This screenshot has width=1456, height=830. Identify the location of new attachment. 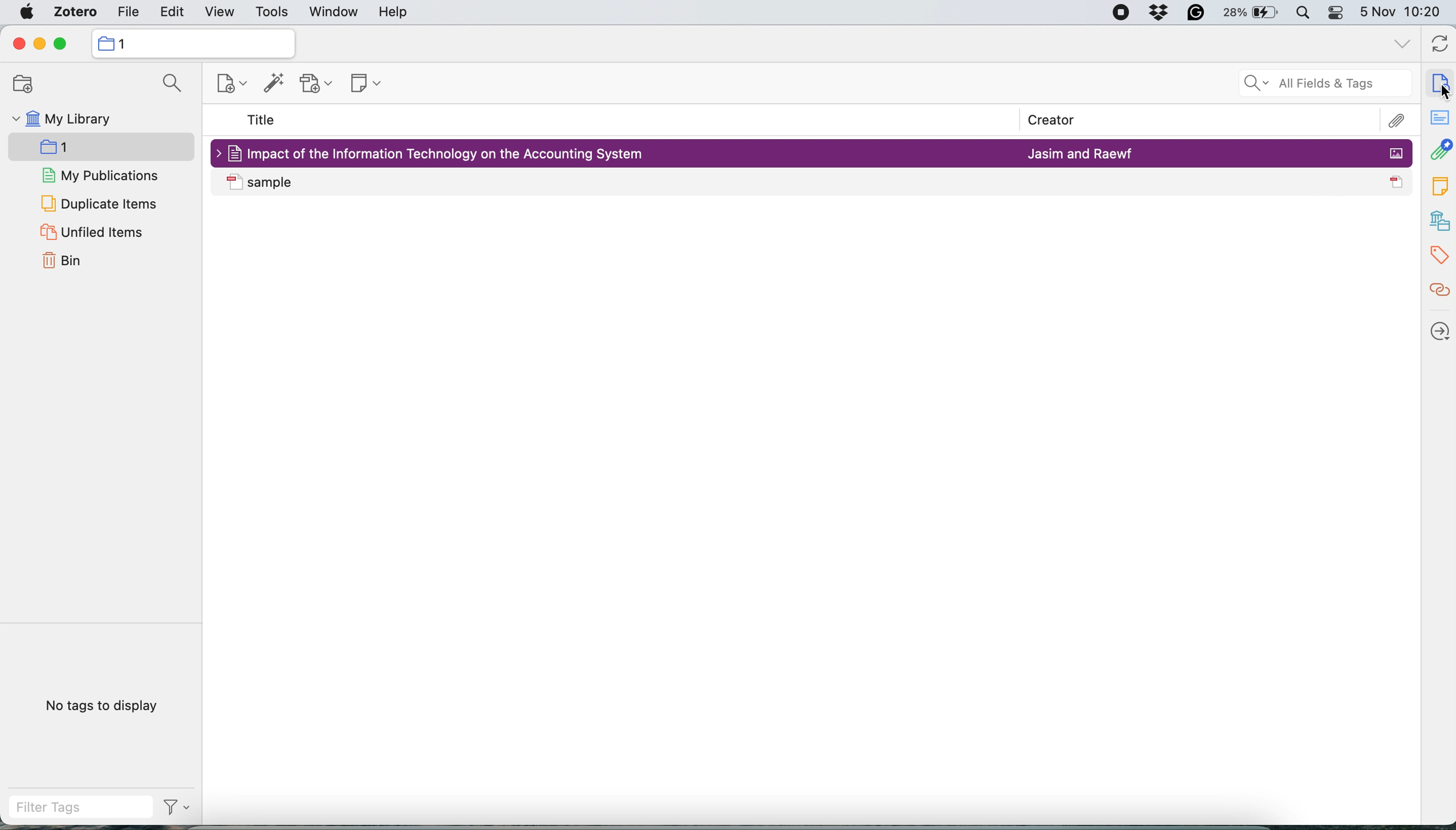
(316, 85).